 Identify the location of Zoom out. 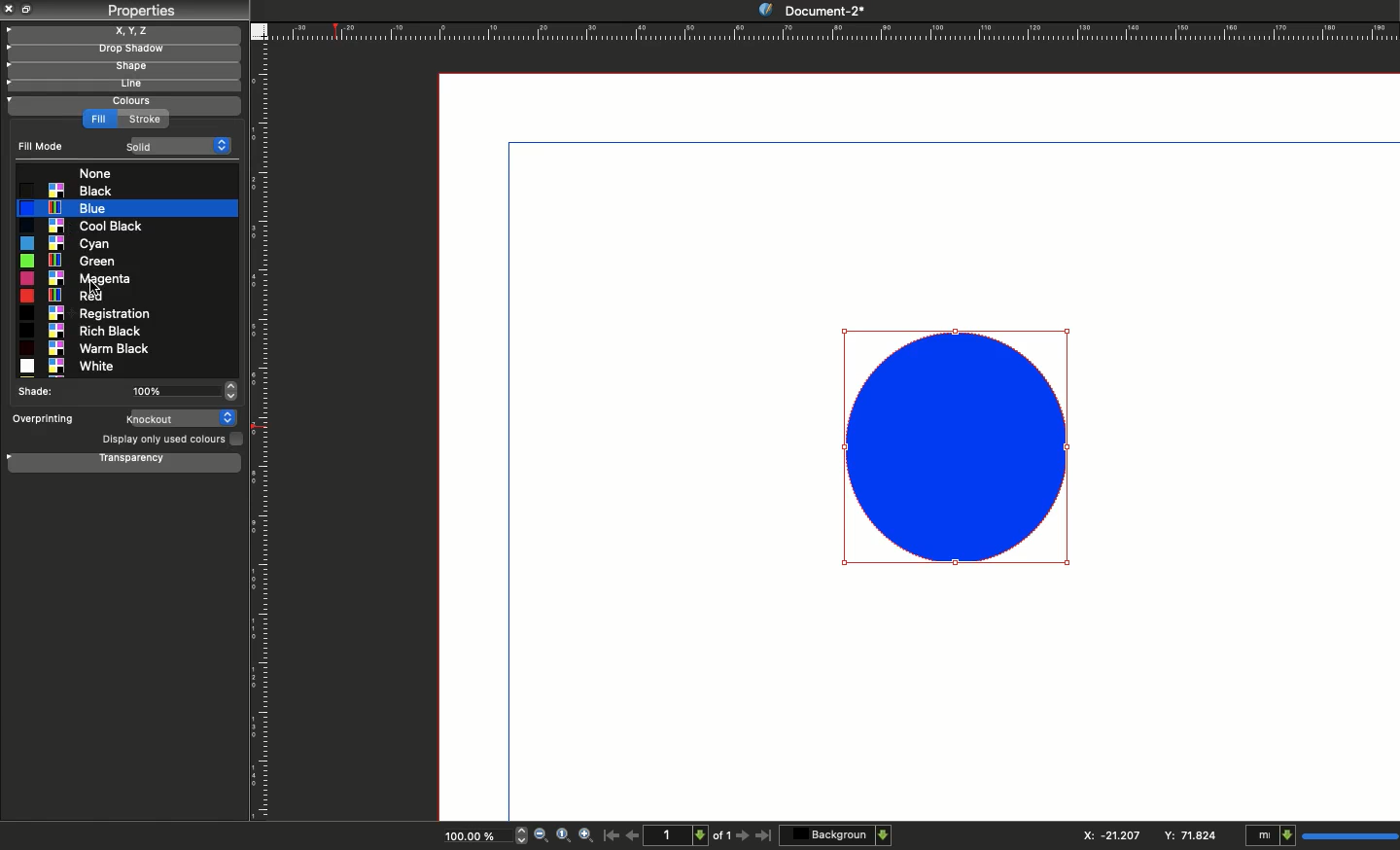
(541, 836).